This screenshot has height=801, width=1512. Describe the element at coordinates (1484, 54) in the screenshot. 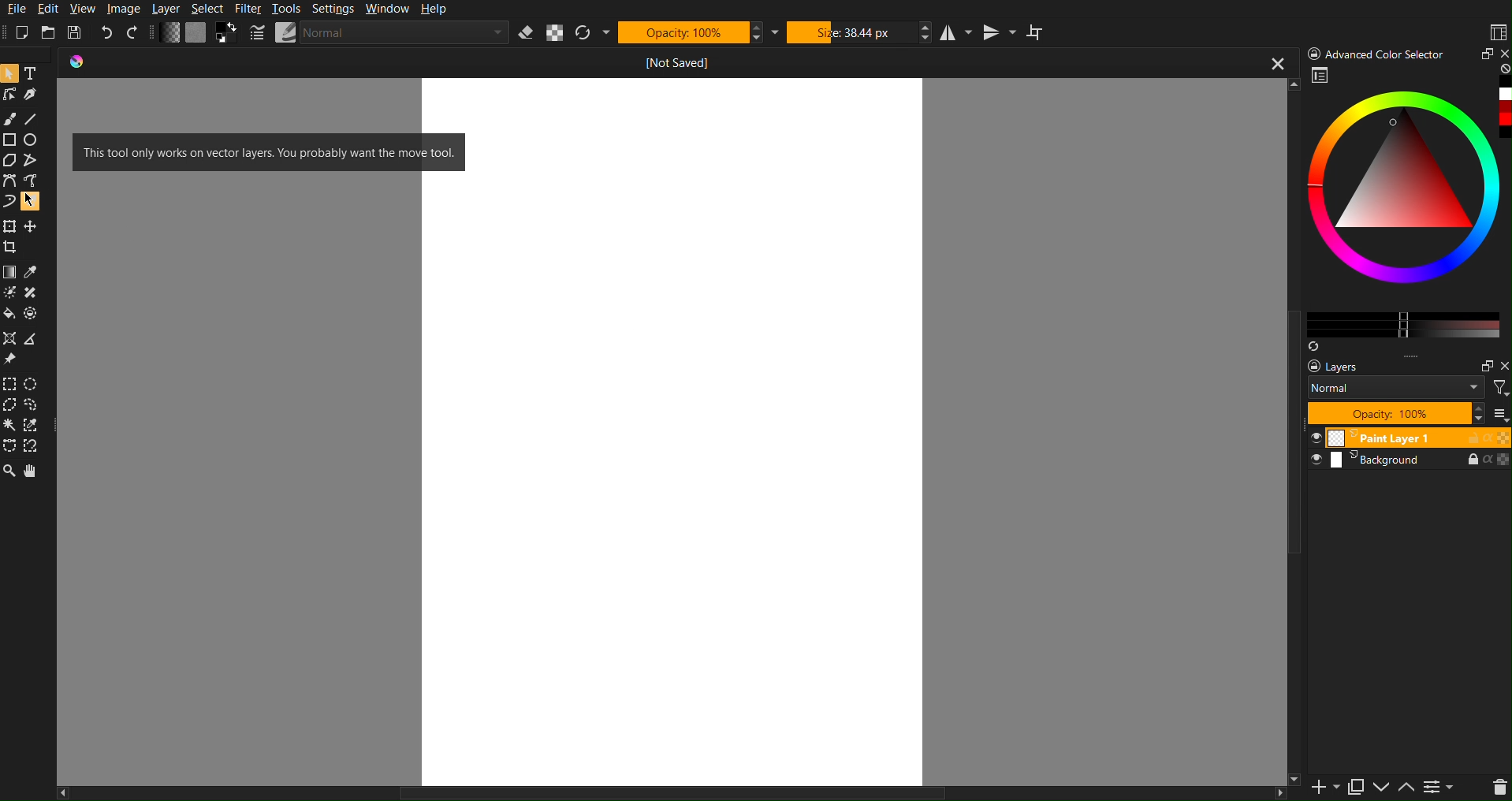

I see `minimize` at that location.